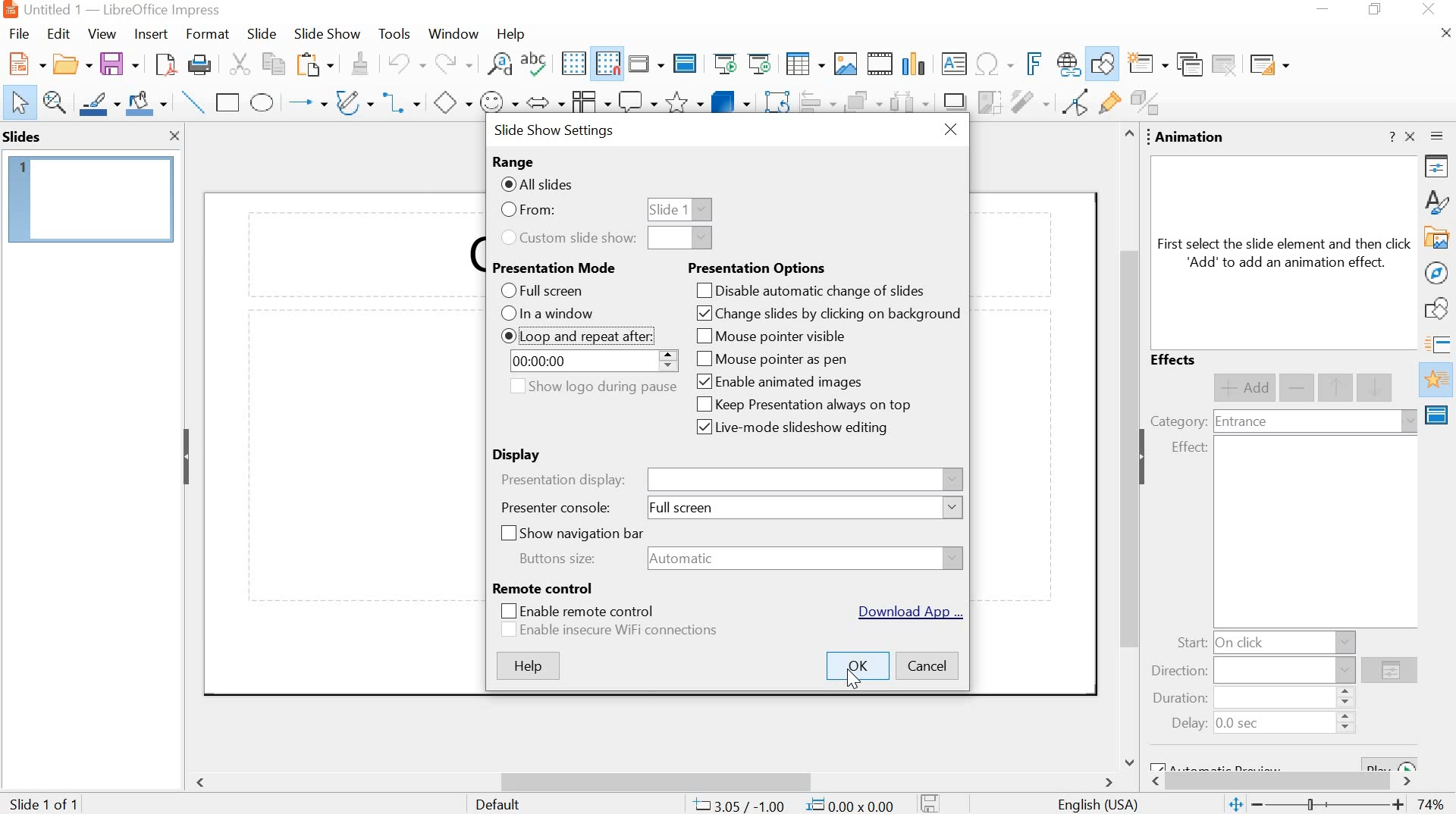 The image size is (1456, 814). Describe the element at coordinates (758, 269) in the screenshot. I see `presentation options` at that location.